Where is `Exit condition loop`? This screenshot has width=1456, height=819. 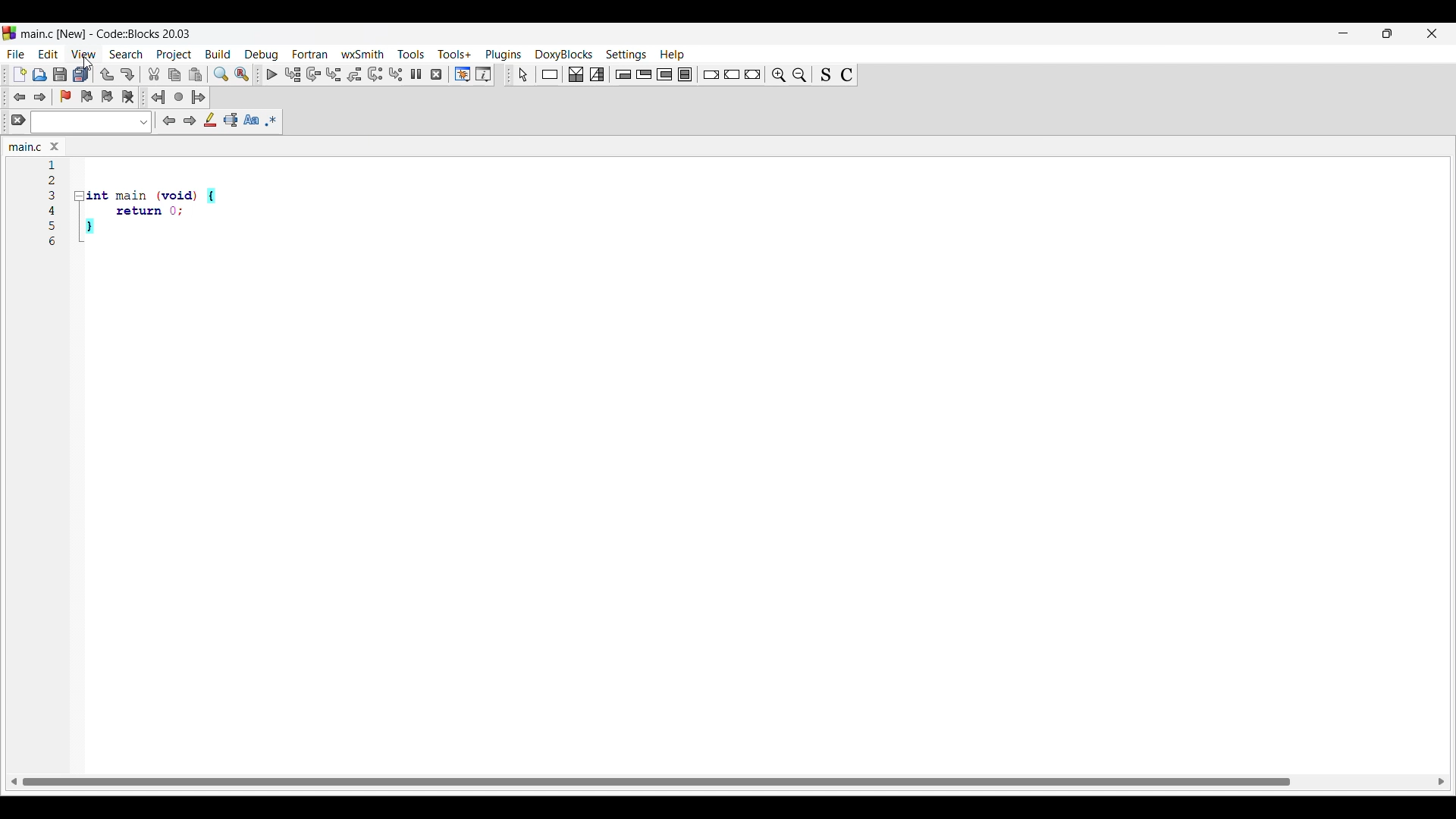 Exit condition loop is located at coordinates (645, 74).